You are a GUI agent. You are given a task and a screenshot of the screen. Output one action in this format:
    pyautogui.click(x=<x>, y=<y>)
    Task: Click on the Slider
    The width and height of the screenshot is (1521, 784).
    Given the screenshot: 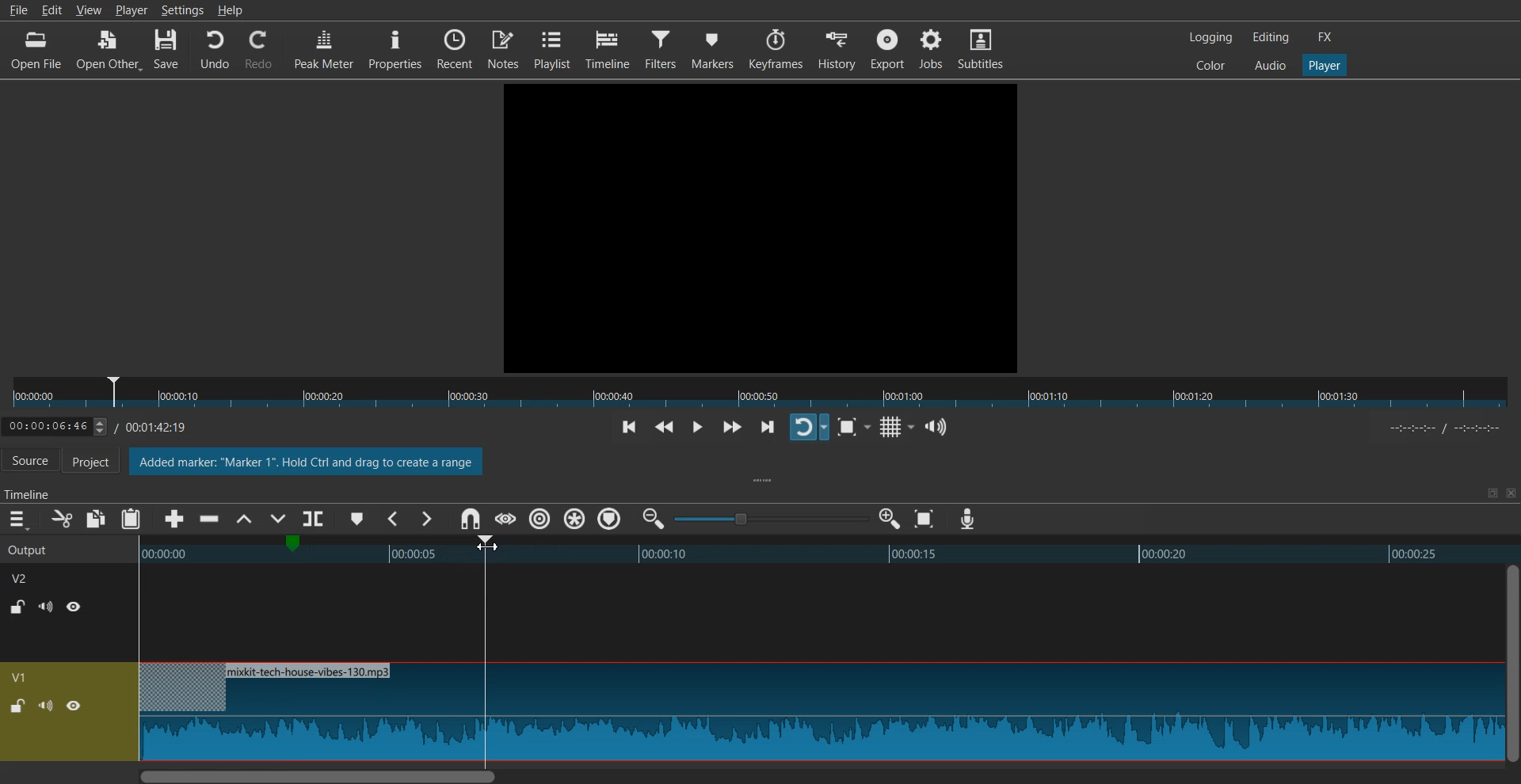 What is the action you would take?
    pyautogui.click(x=760, y=393)
    